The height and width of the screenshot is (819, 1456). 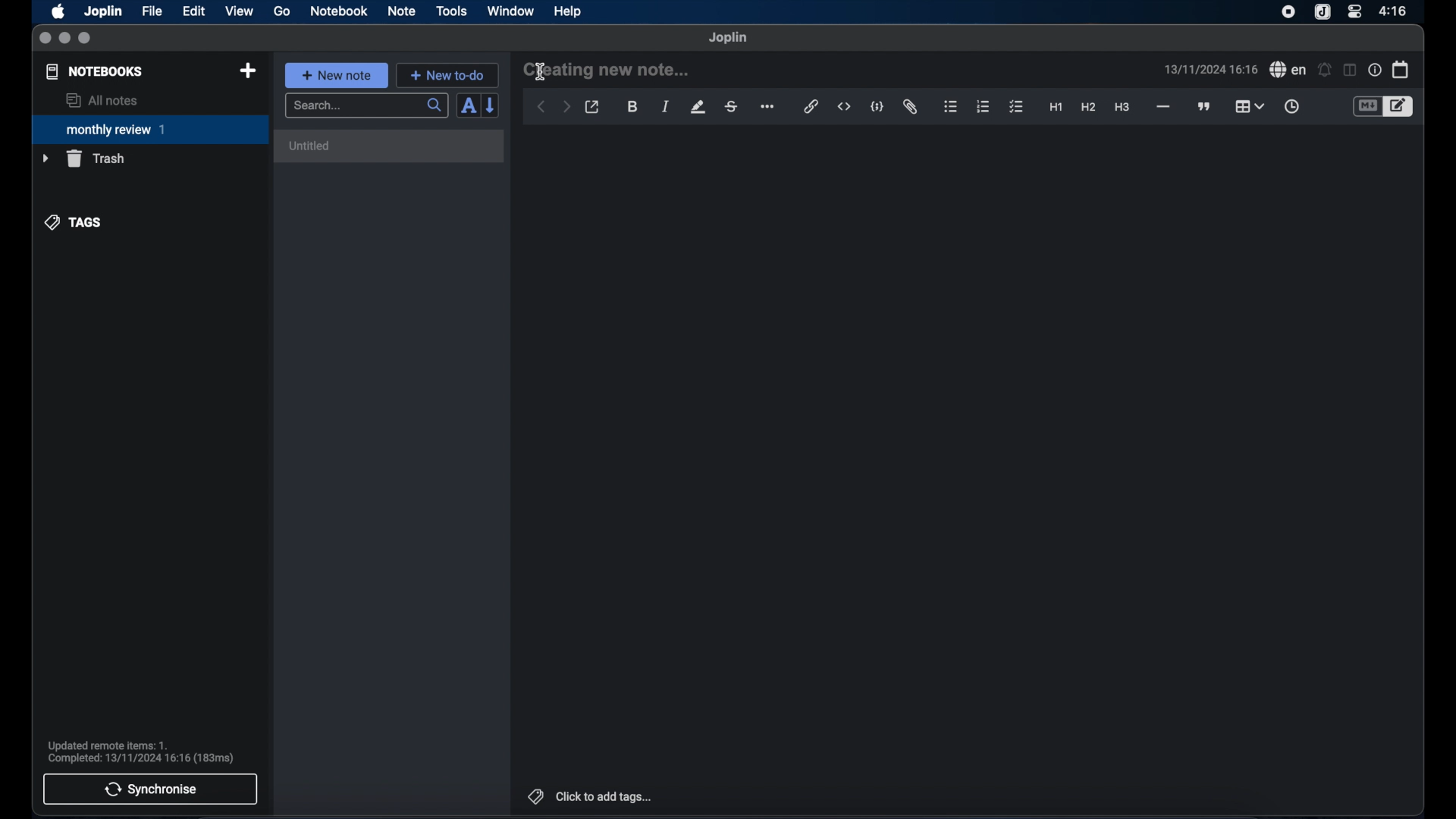 What do you see at coordinates (634, 107) in the screenshot?
I see `bold` at bounding box center [634, 107].